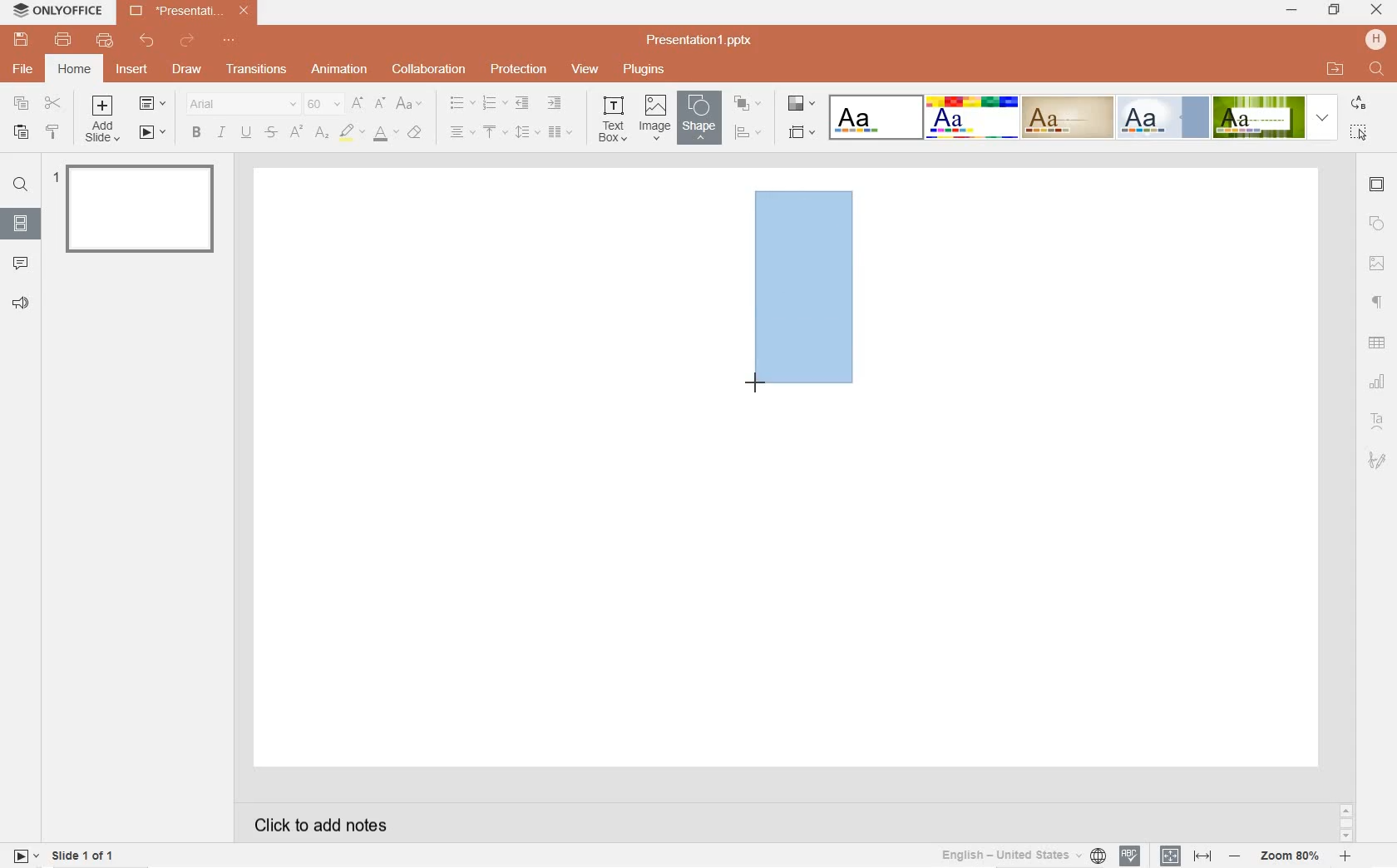 The image size is (1397, 868). What do you see at coordinates (758, 381) in the screenshot?
I see `cursor` at bounding box center [758, 381].